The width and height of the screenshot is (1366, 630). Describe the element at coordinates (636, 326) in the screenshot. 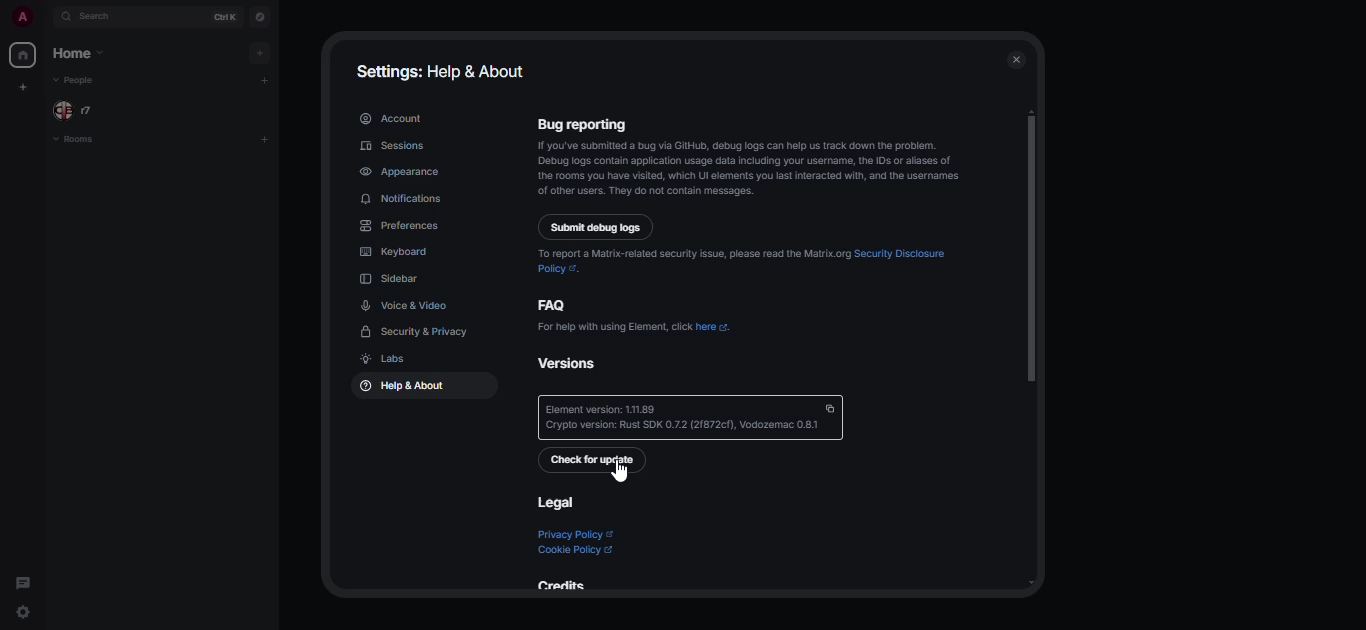

I see `for help with using element, click here` at that location.